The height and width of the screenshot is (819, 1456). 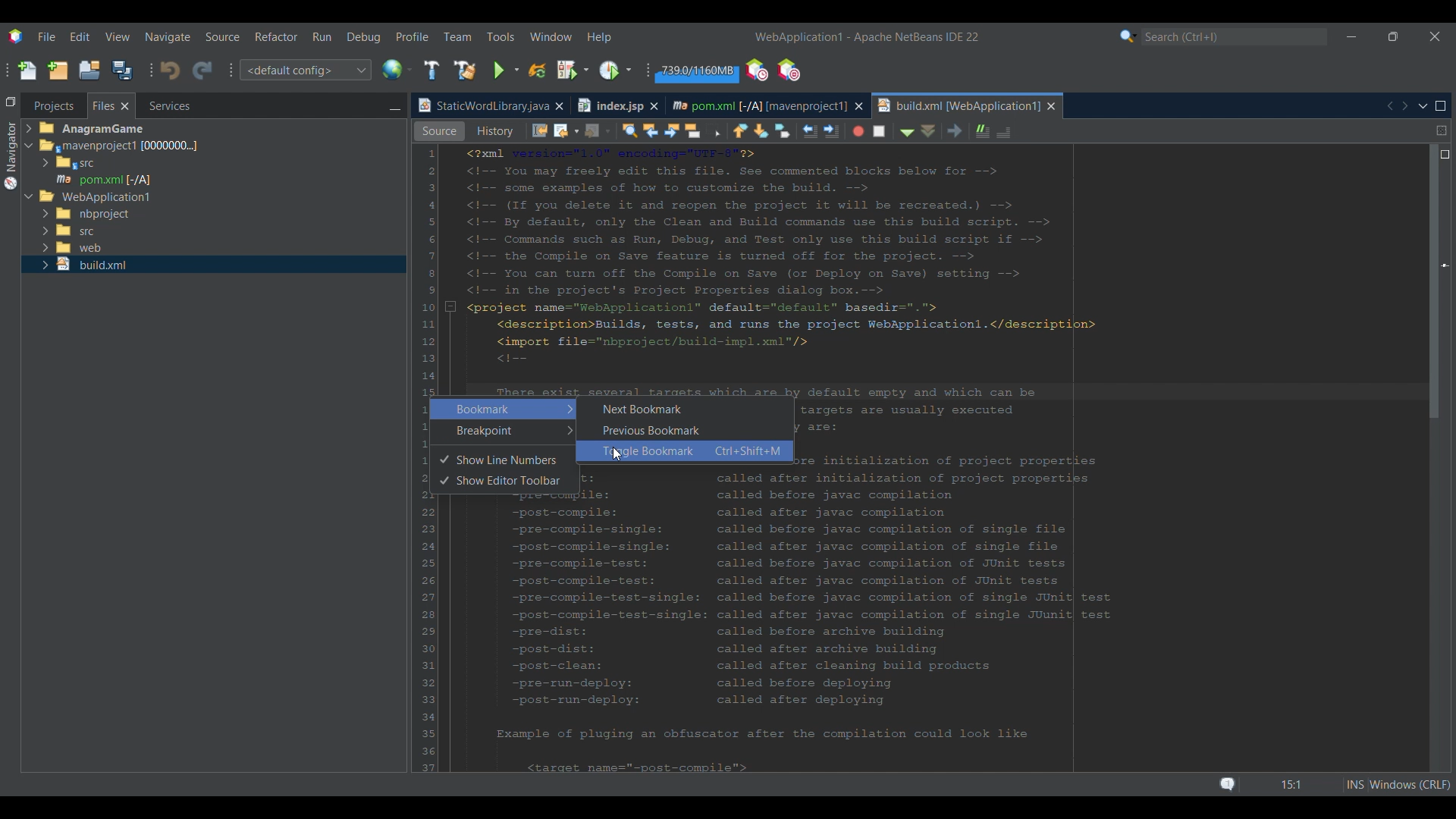 I want to click on Tools menu, so click(x=500, y=36).